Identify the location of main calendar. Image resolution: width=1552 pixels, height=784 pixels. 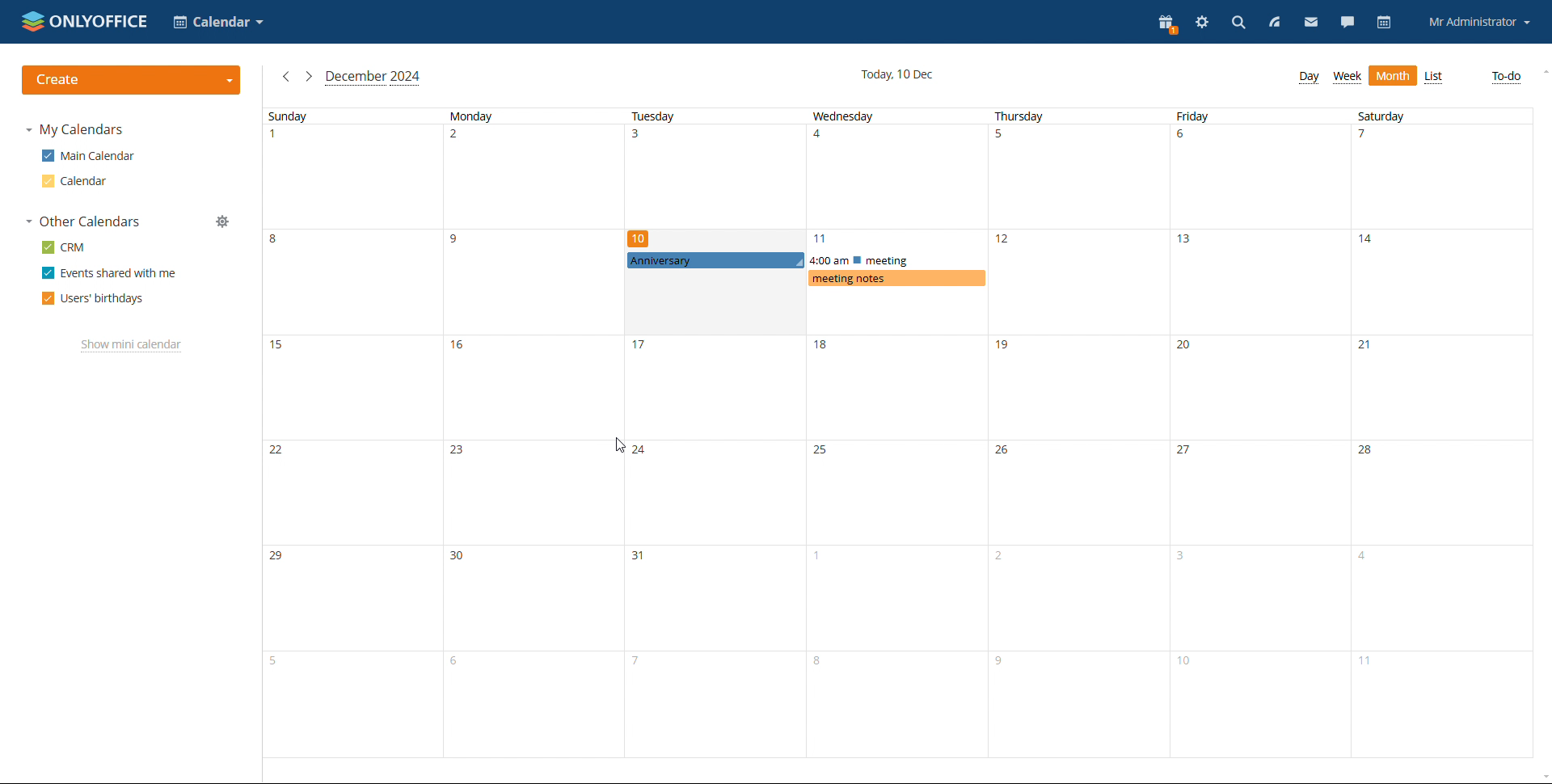
(91, 155).